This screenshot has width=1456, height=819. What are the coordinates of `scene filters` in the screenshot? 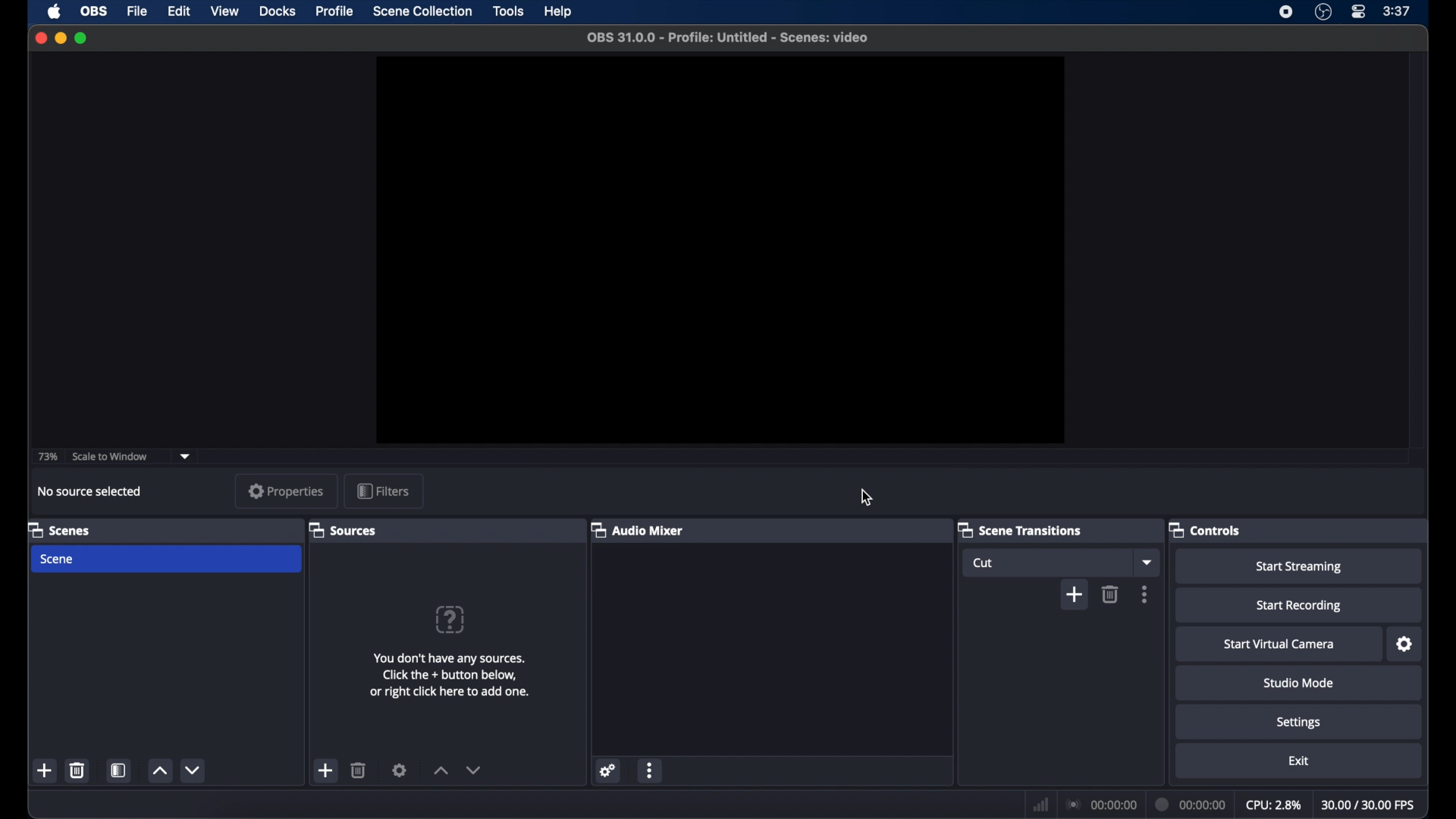 It's located at (119, 771).